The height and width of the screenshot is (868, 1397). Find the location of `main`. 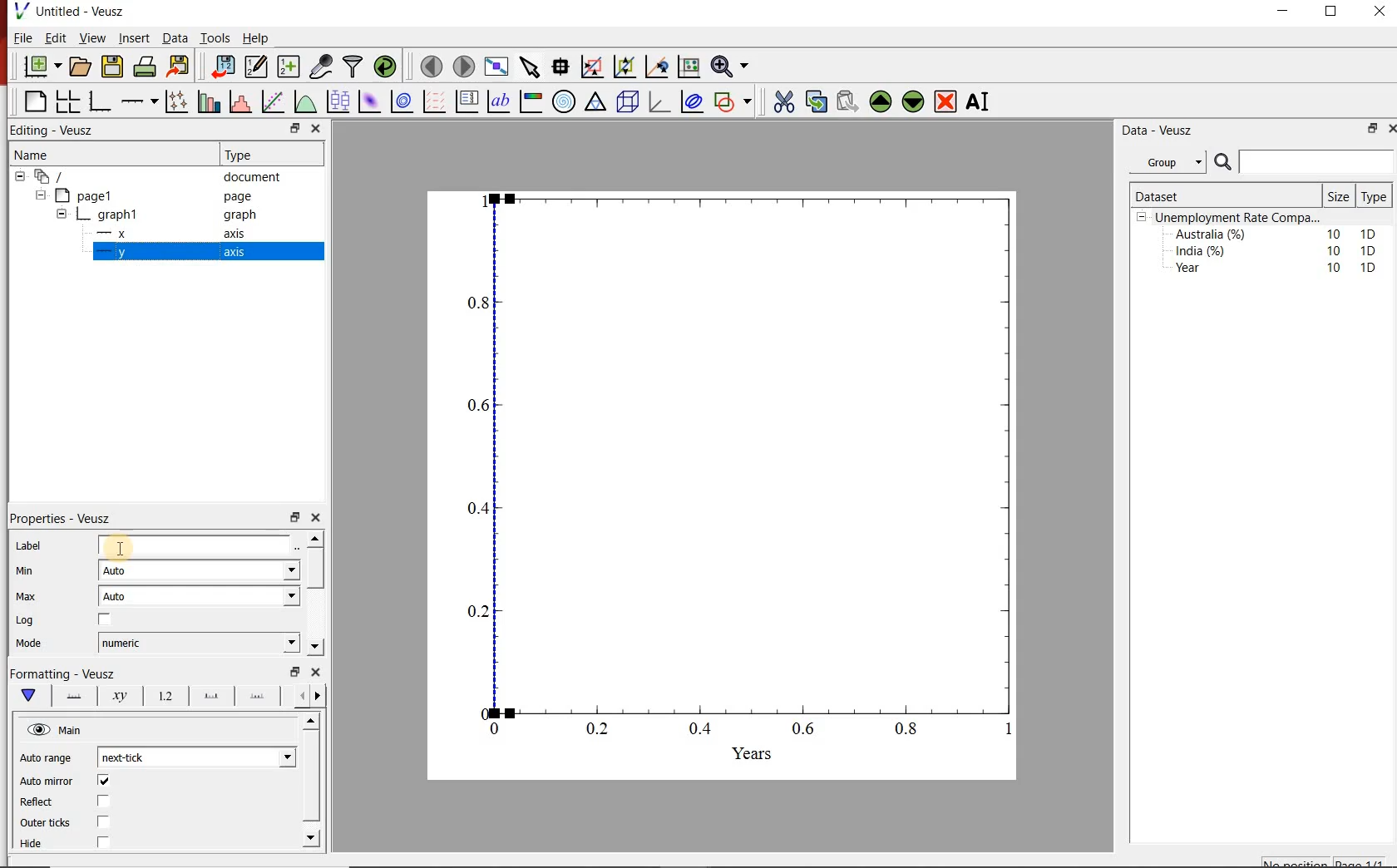

main is located at coordinates (32, 696).